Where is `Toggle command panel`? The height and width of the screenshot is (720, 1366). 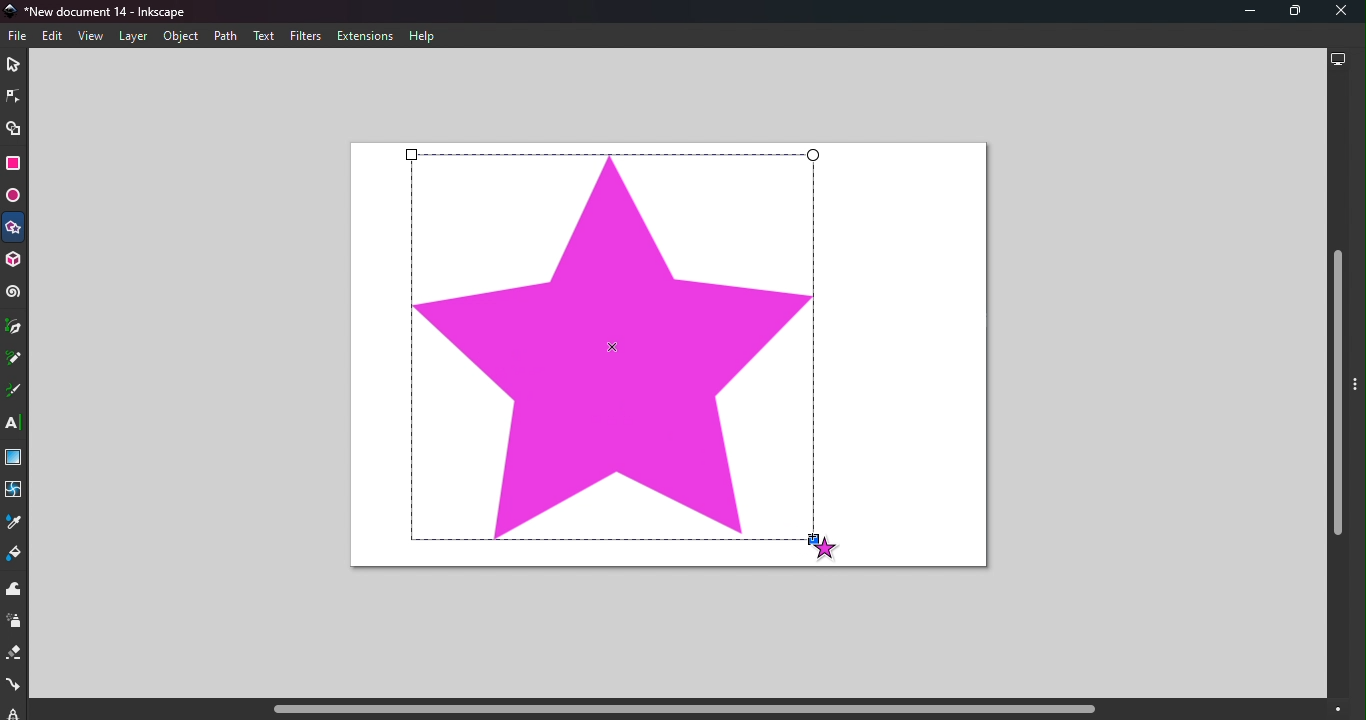 Toggle command panel is located at coordinates (1358, 395).